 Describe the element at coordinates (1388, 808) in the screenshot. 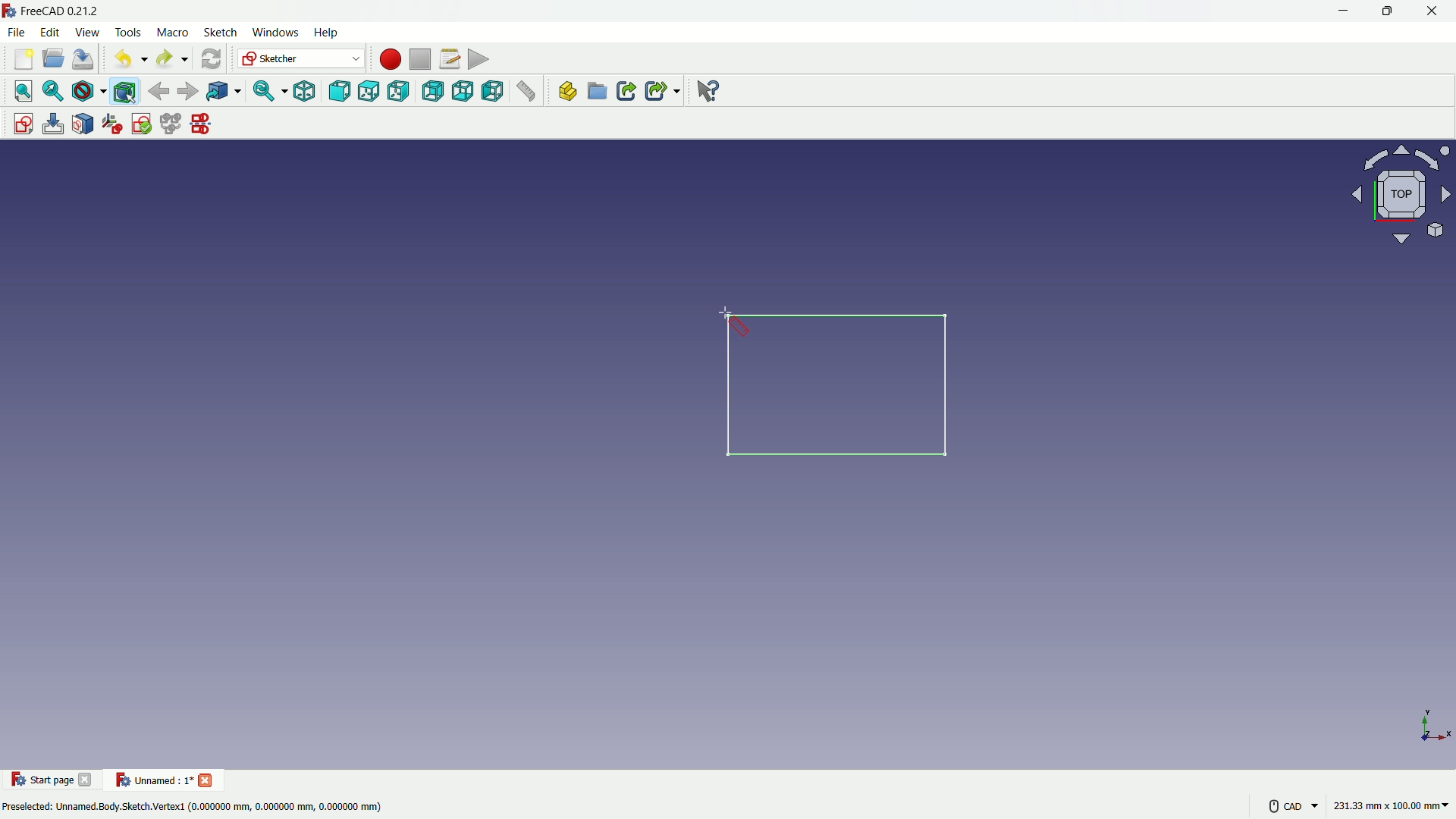

I see `measuring unit` at that location.